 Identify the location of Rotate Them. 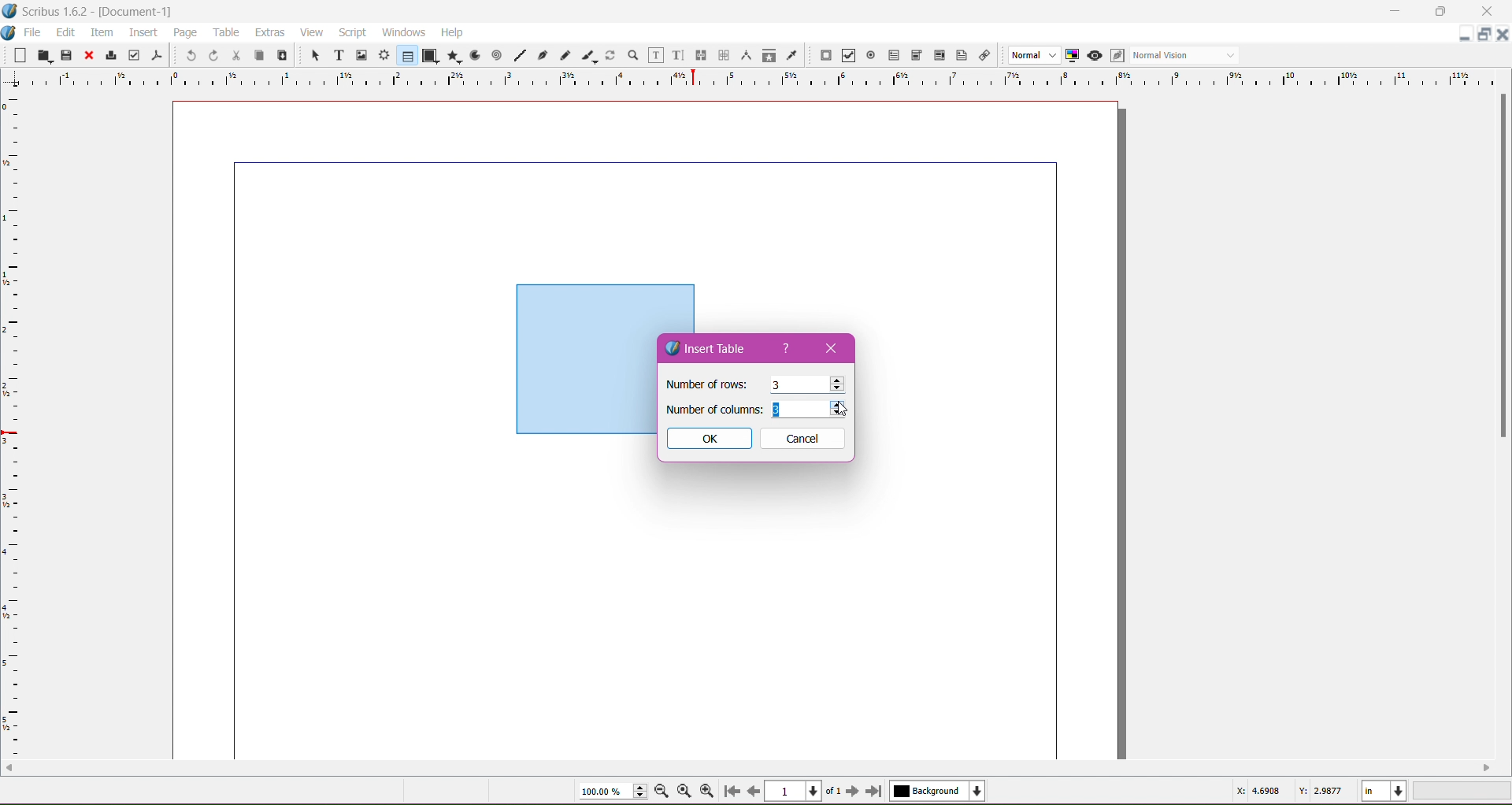
(609, 54).